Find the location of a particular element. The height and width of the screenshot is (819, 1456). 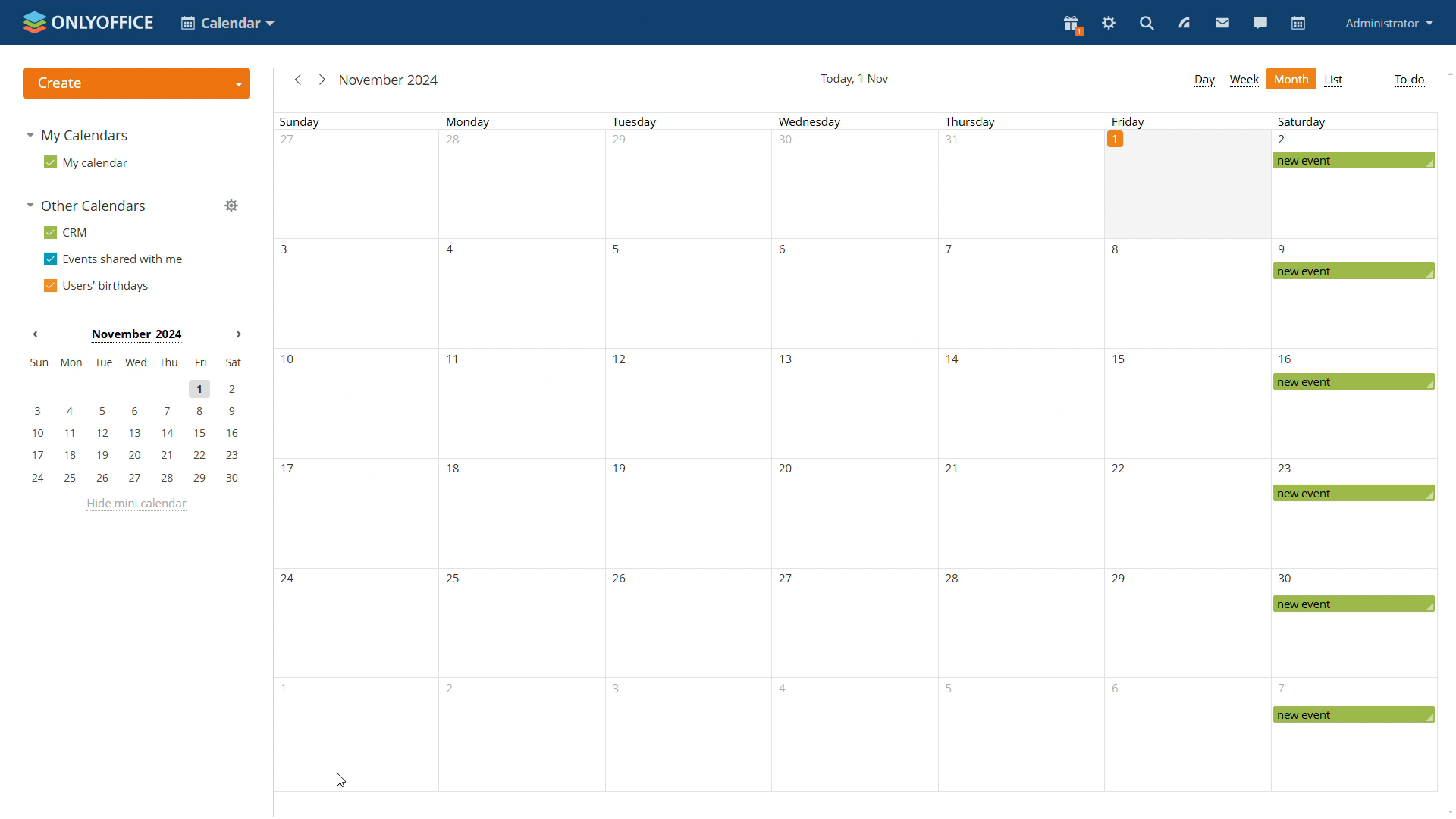

Month on display is located at coordinates (136, 336).